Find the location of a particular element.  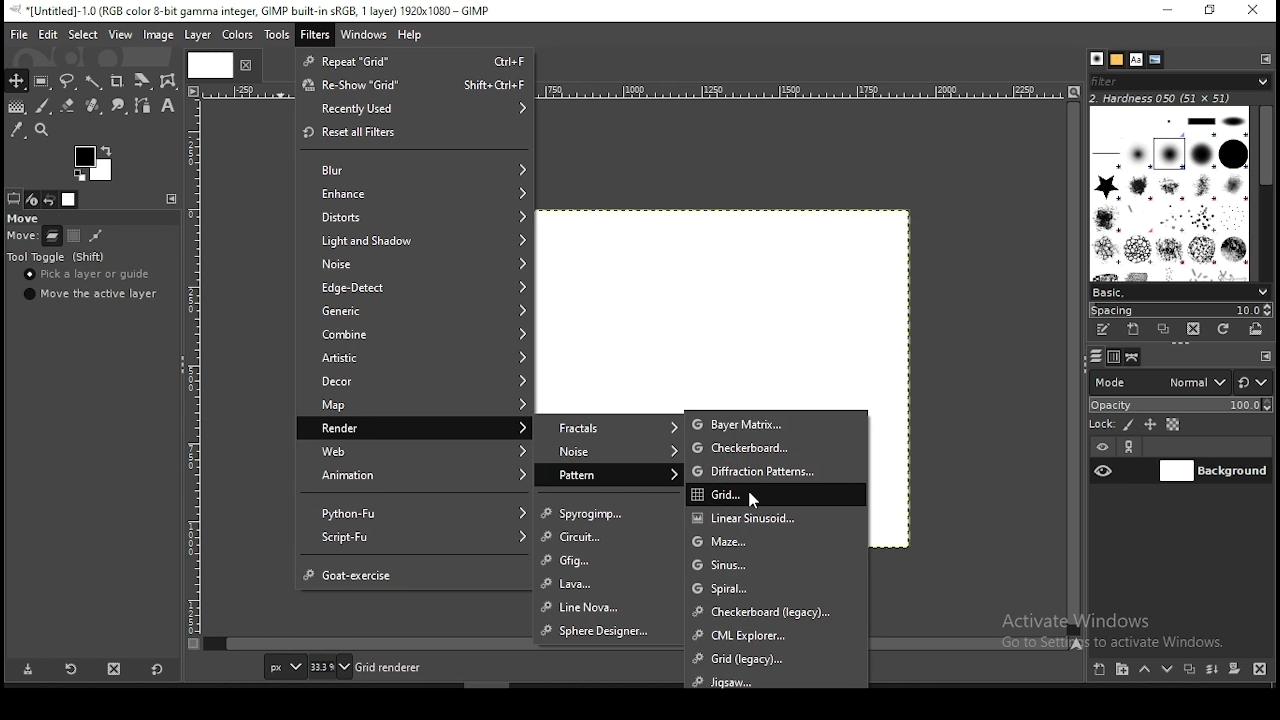

zoom status is located at coordinates (331, 667).